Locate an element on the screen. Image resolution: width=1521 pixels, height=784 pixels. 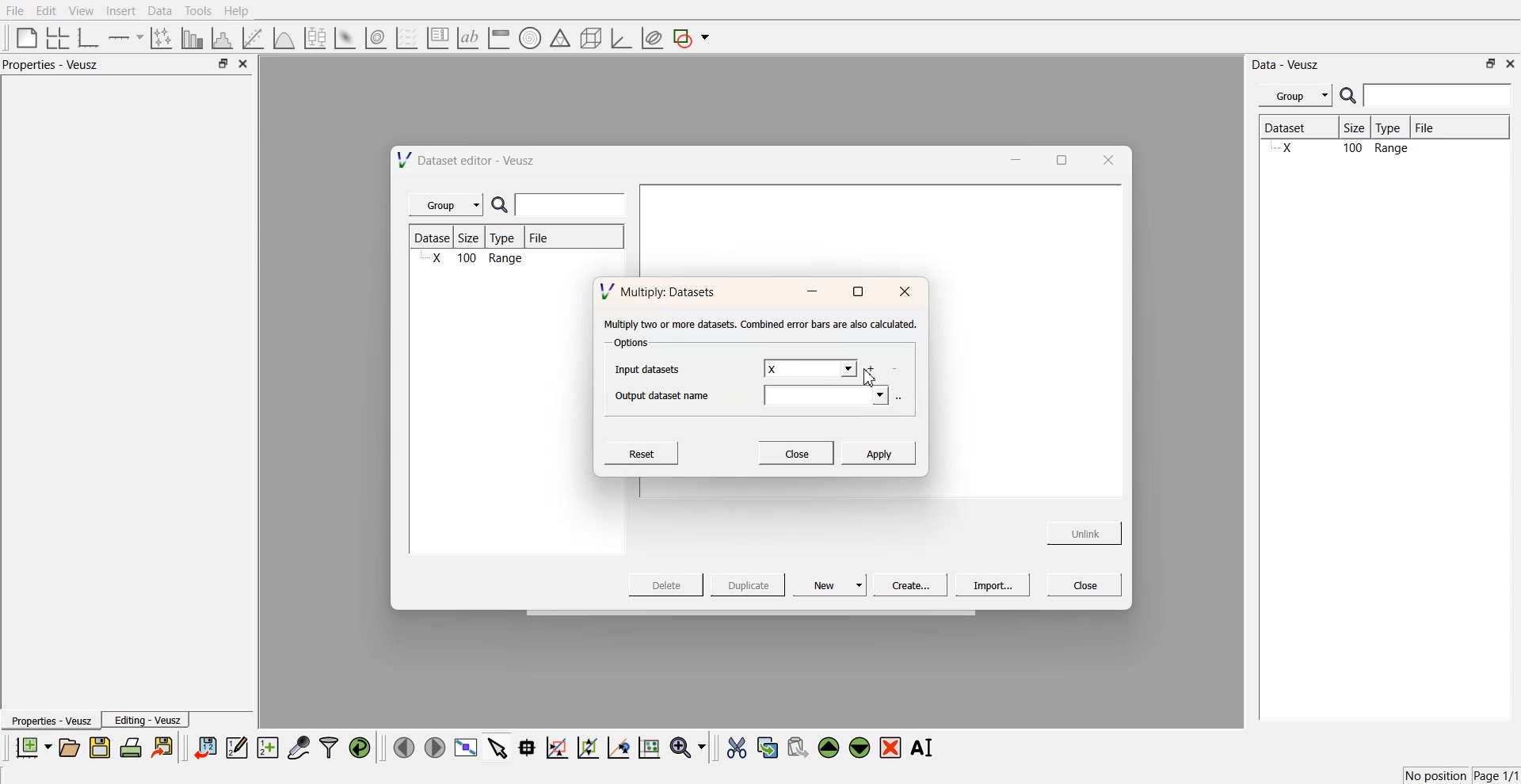
blank page is located at coordinates (23, 36).